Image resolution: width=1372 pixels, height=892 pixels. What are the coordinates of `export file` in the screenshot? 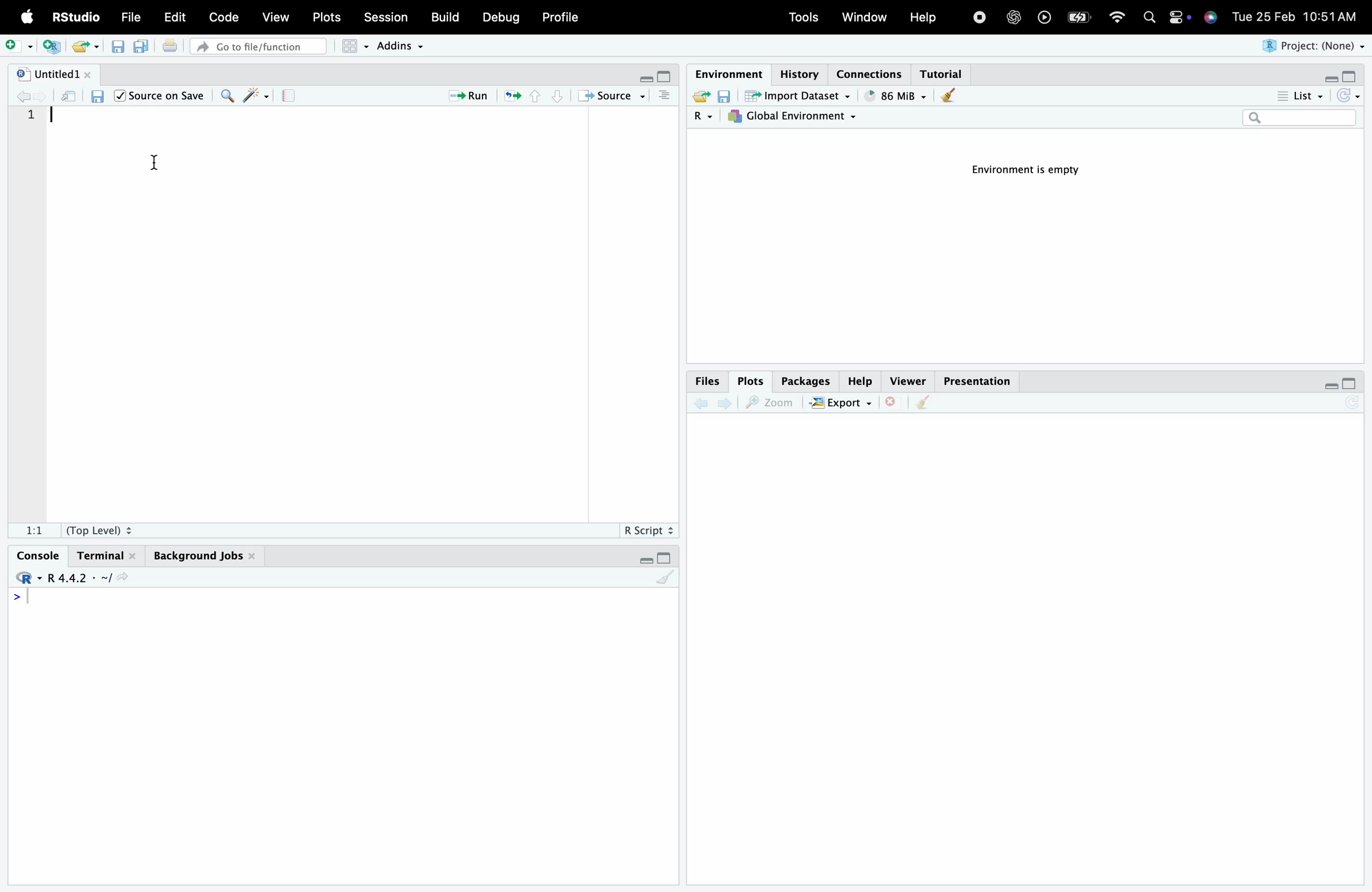 It's located at (89, 47).